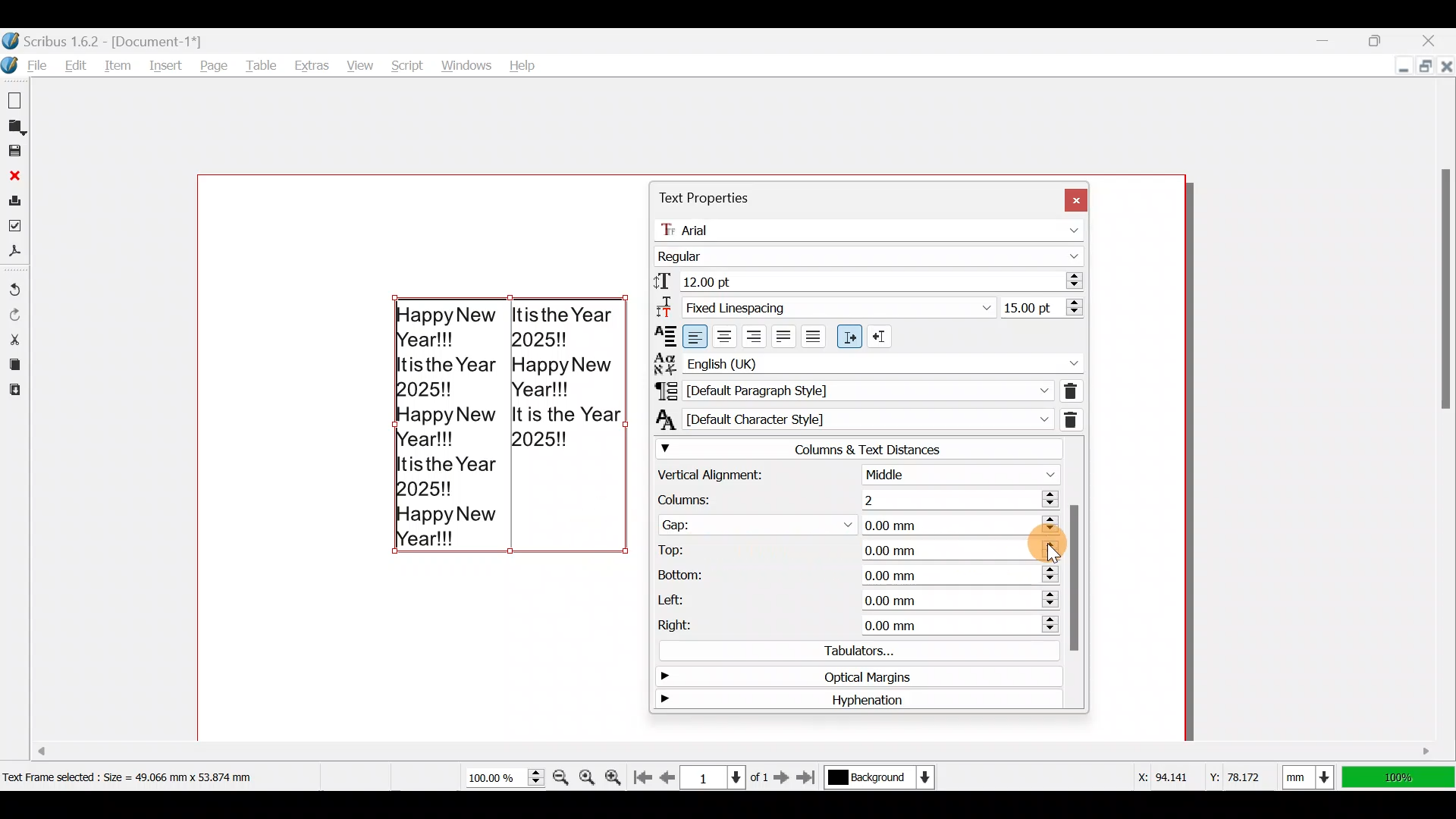 This screenshot has height=819, width=1456. I want to click on Paragraph style of currently selected text/paragraph, so click(850, 390).